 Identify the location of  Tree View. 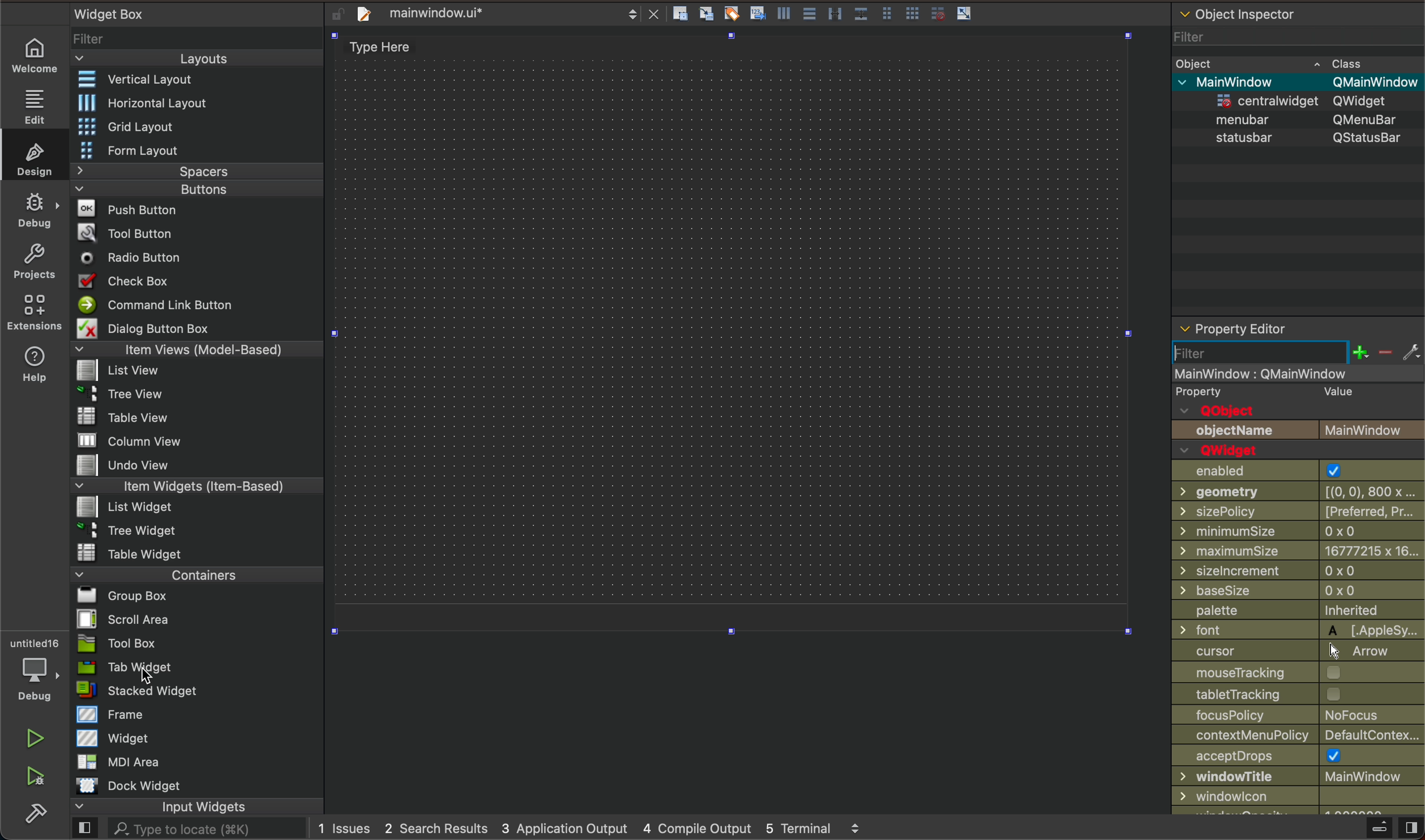
(122, 392).